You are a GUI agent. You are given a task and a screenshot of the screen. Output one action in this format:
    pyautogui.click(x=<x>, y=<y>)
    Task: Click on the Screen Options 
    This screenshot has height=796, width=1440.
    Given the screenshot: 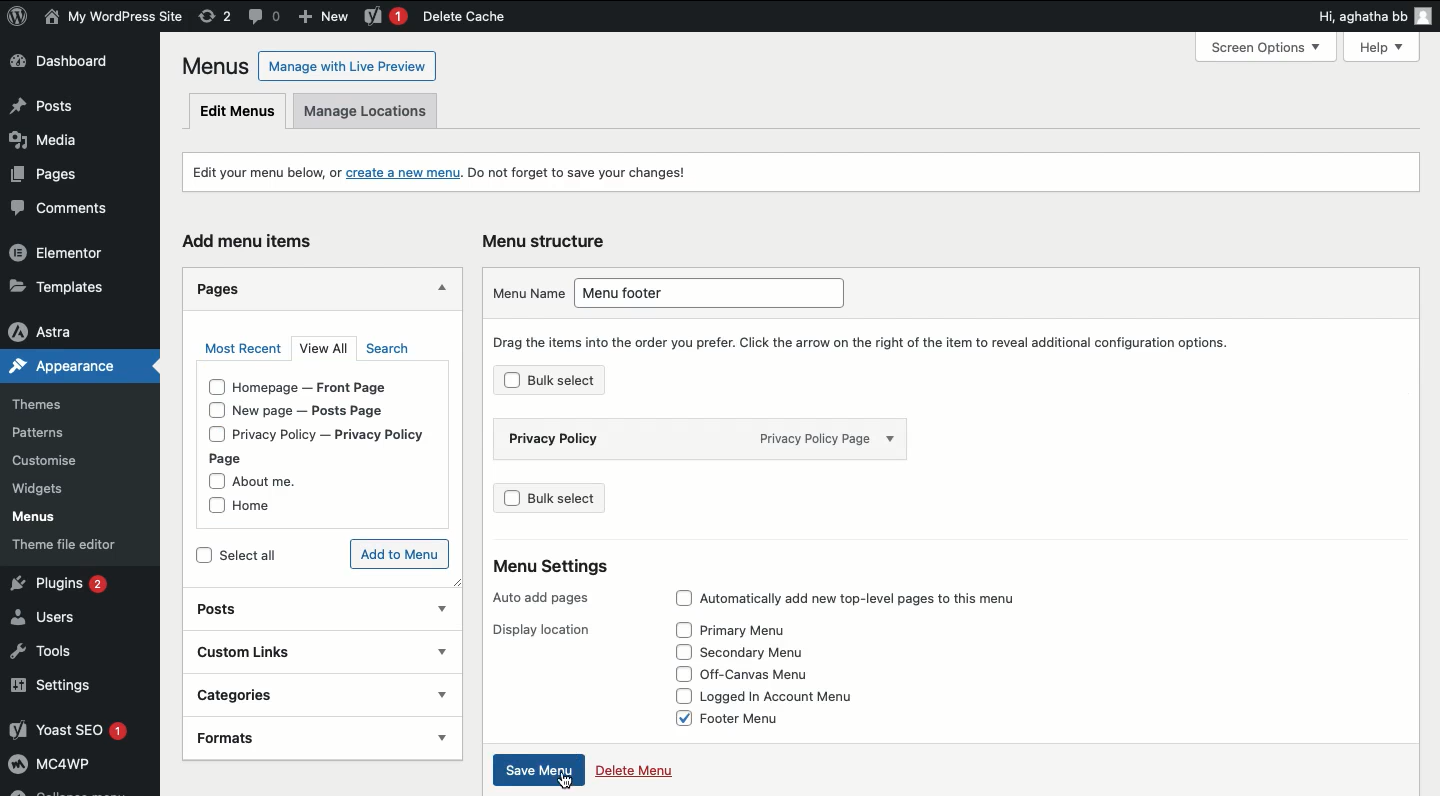 What is the action you would take?
    pyautogui.click(x=1274, y=47)
    